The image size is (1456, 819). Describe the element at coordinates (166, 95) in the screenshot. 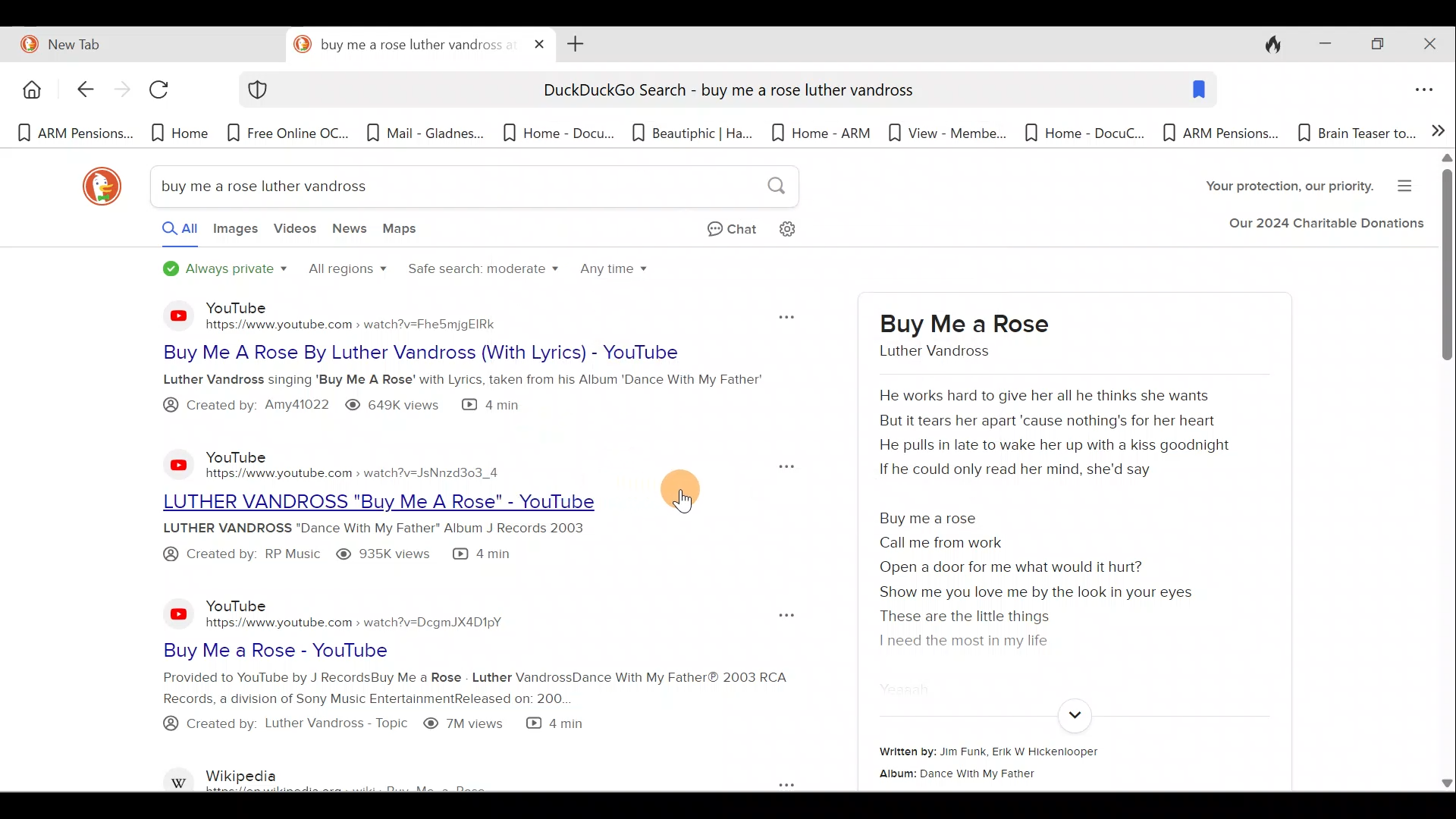

I see `Reload` at that location.